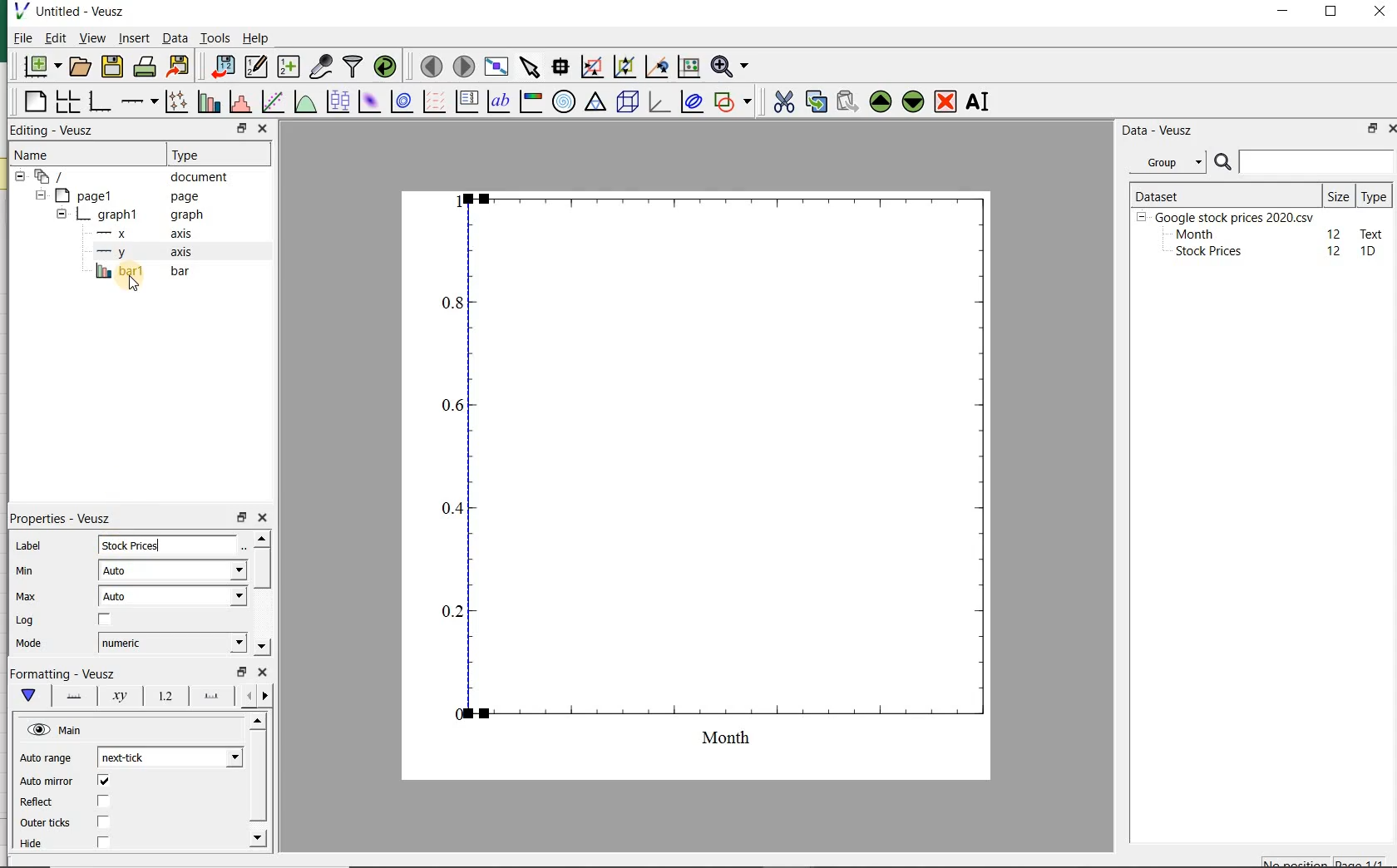 Image resolution: width=1397 pixels, height=868 pixels. Describe the element at coordinates (242, 129) in the screenshot. I see `restore` at that location.